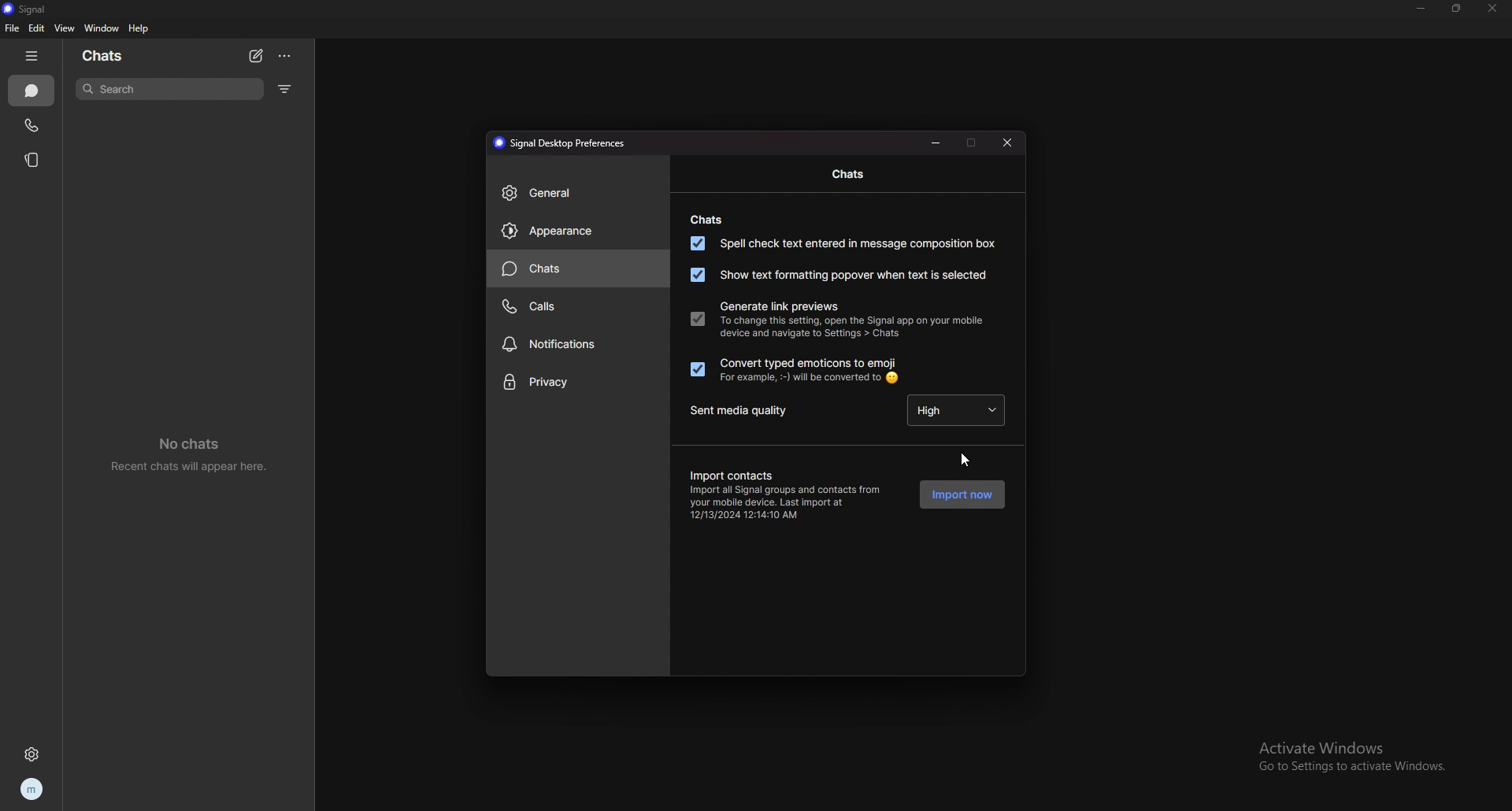 The height and width of the screenshot is (811, 1512). What do you see at coordinates (790, 503) in the screenshot?
I see `Import all Signal groups and contacts from
your mobile device. Last import at
12/13/2024 12:14:10 AM` at bounding box center [790, 503].